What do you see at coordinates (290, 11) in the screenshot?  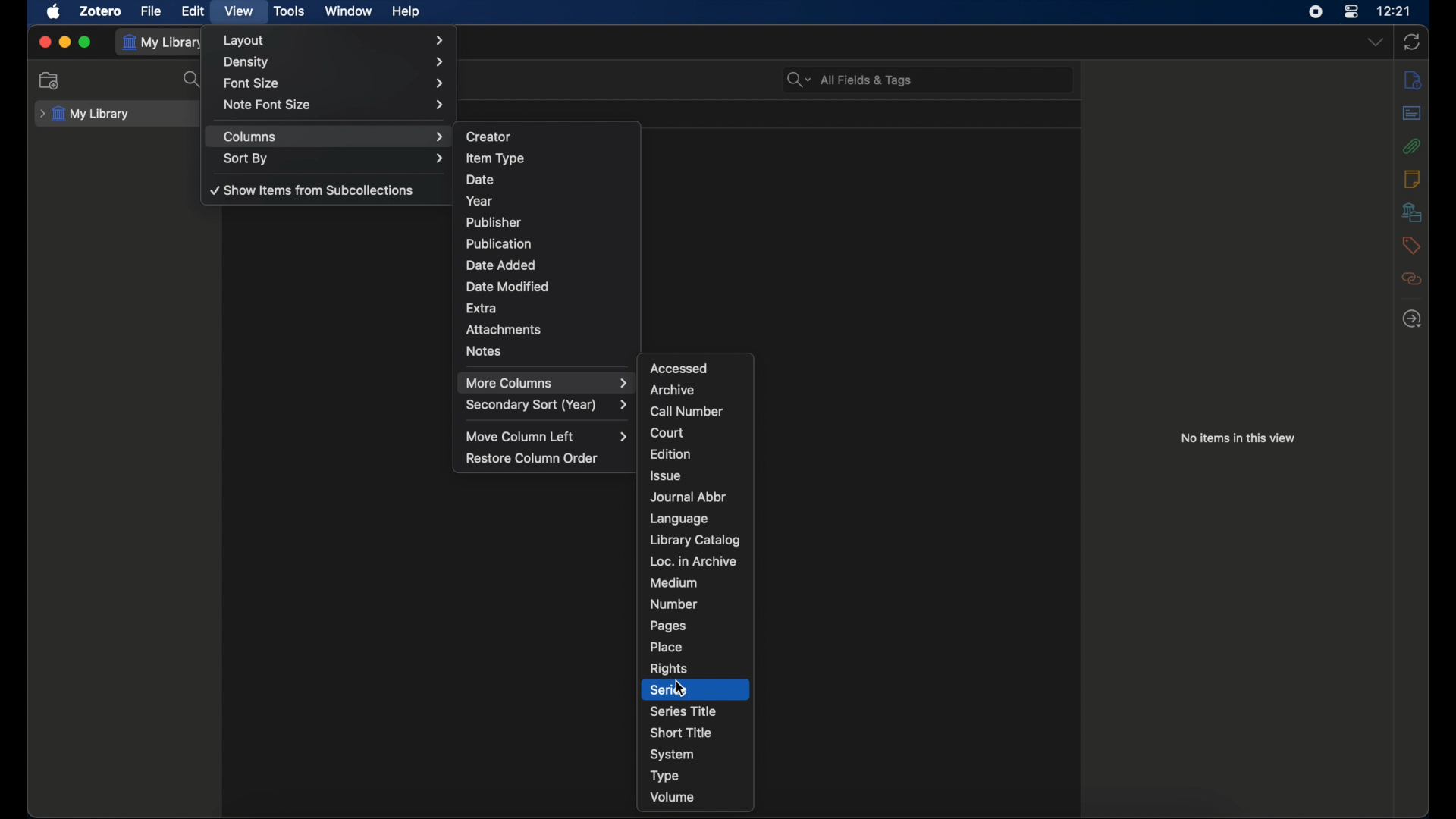 I see `tools` at bounding box center [290, 11].